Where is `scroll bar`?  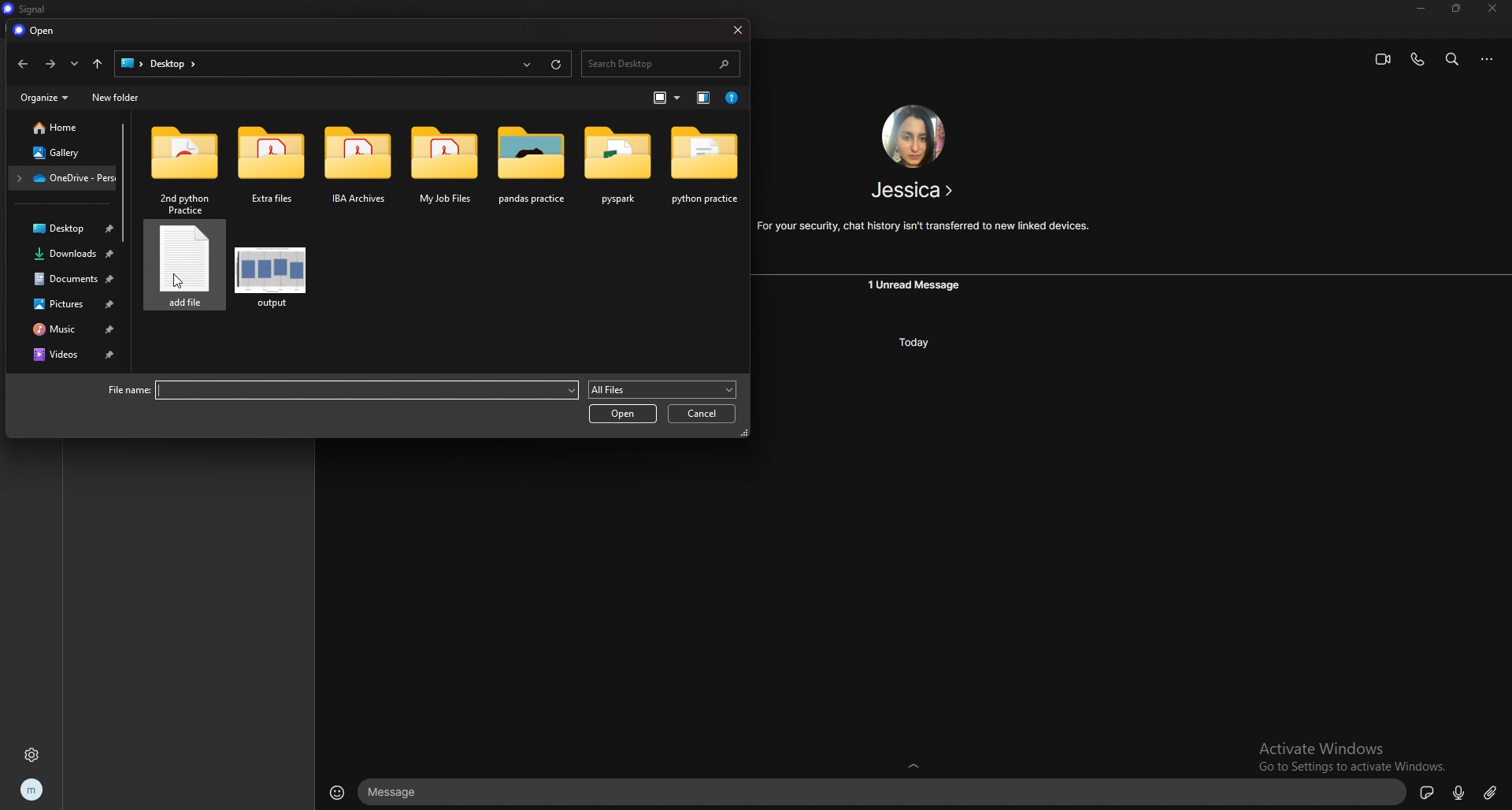 scroll bar is located at coordinates (127, 182).